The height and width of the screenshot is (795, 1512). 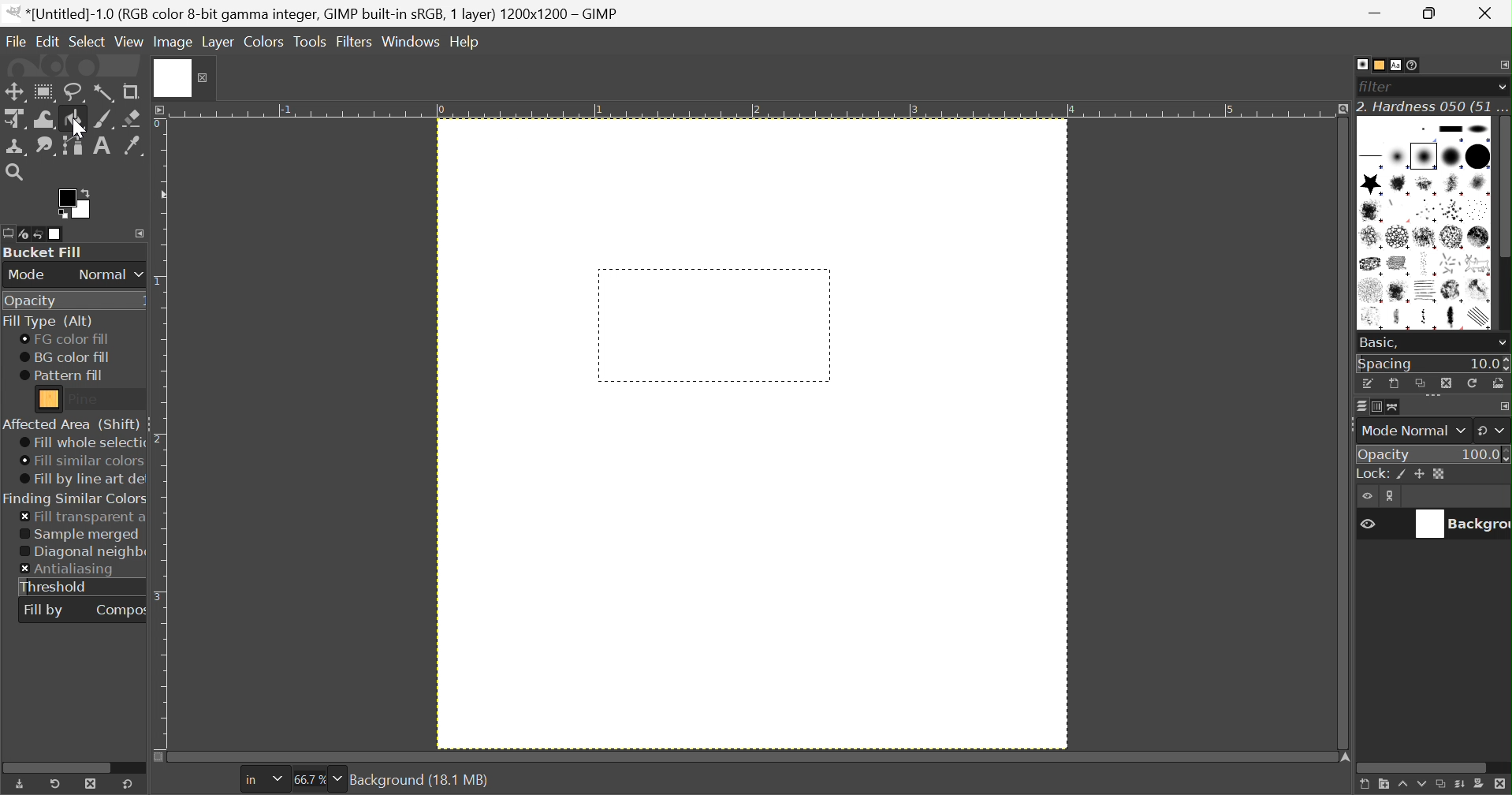 What do you see at coordinates (75, 120) in the screenshot?
I see `Bucket Fill Tool` at bounding box center [75, 120].